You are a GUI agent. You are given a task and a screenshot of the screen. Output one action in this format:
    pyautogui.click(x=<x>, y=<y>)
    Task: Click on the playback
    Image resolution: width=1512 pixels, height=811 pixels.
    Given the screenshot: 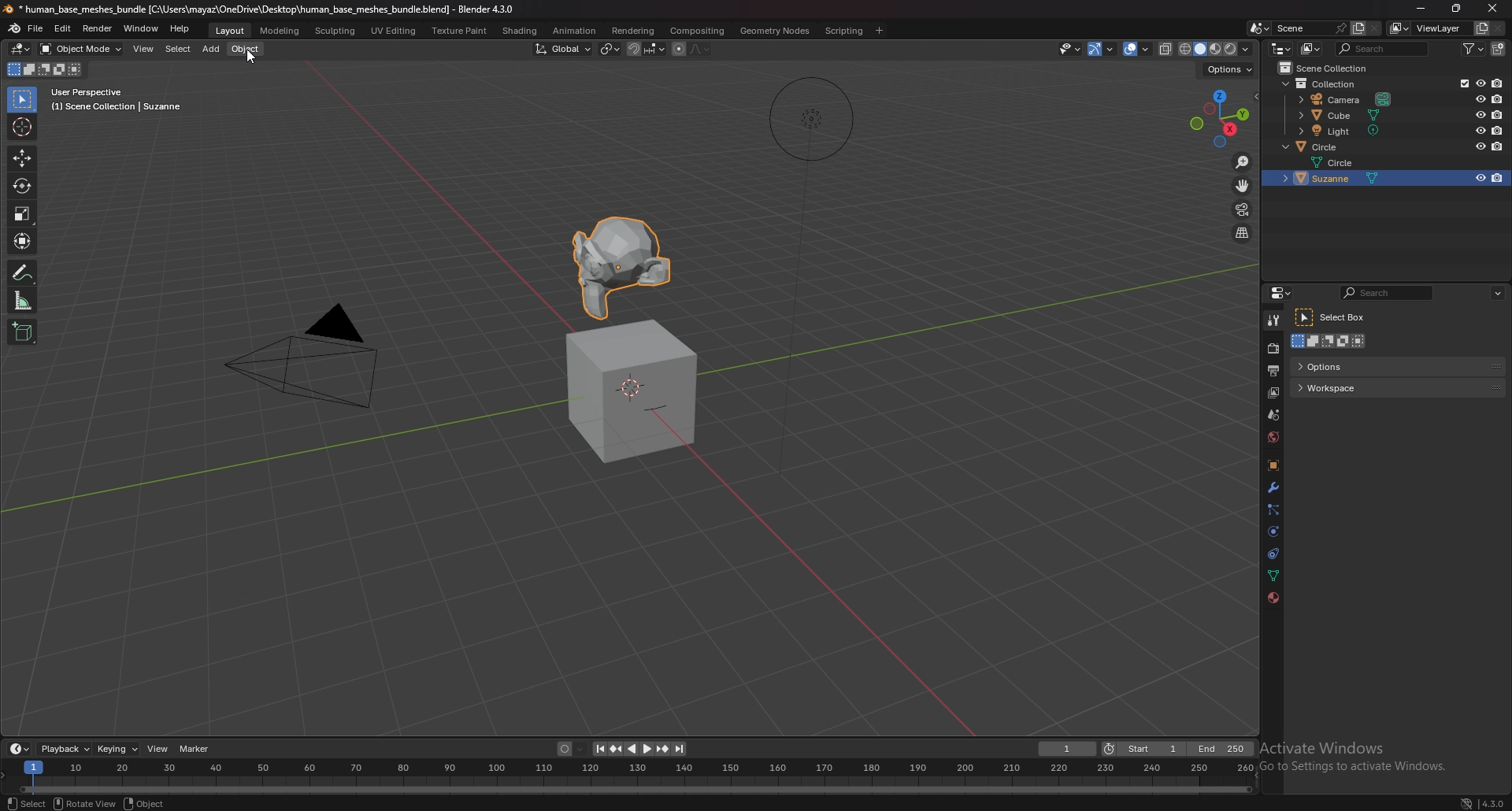 What is the action you would take?
    pyautogui.click(x=64, y=750)
    